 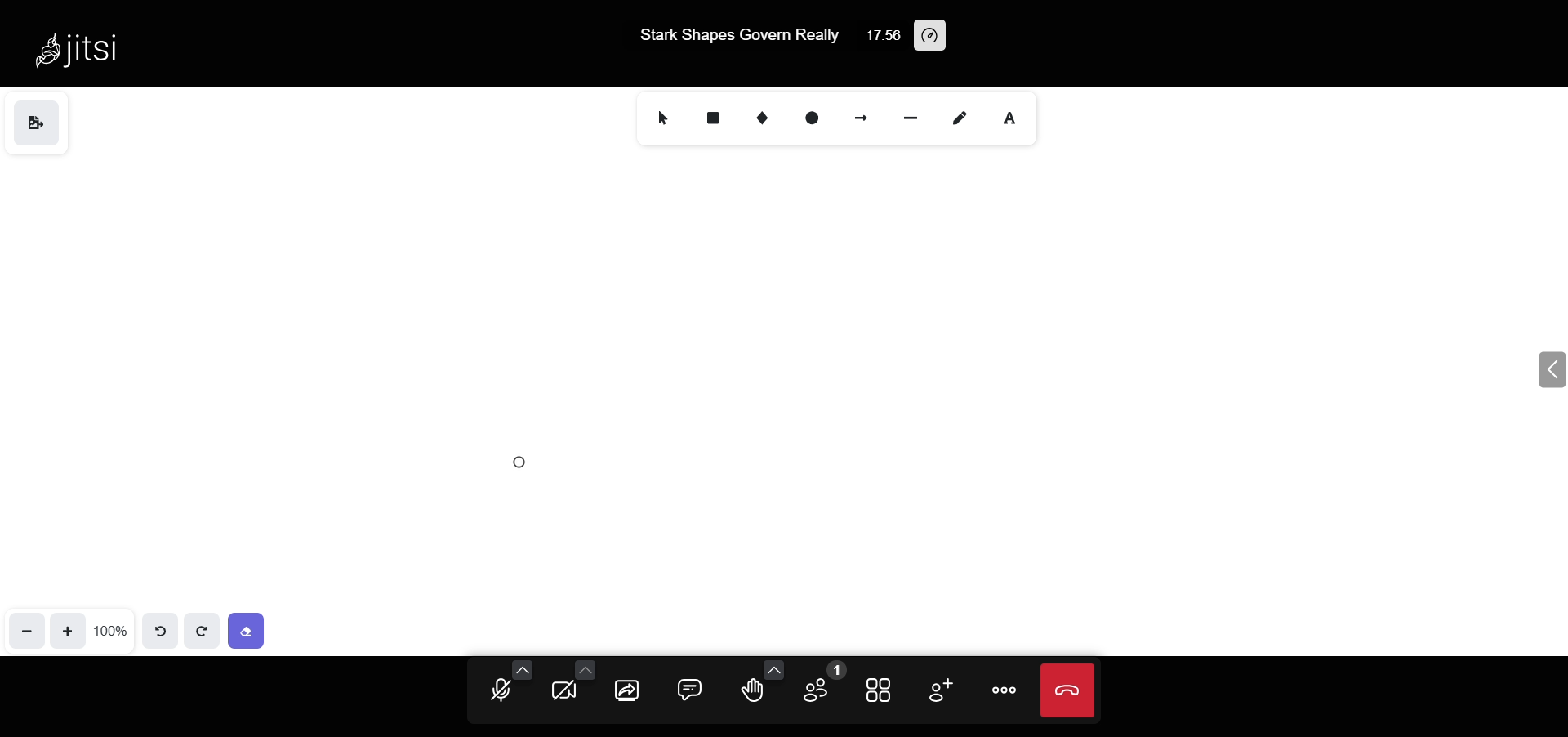 What do you see at coordinates (83, 49) in the screenshot?
I see `Jitsi` at bounding box center [83, 49].